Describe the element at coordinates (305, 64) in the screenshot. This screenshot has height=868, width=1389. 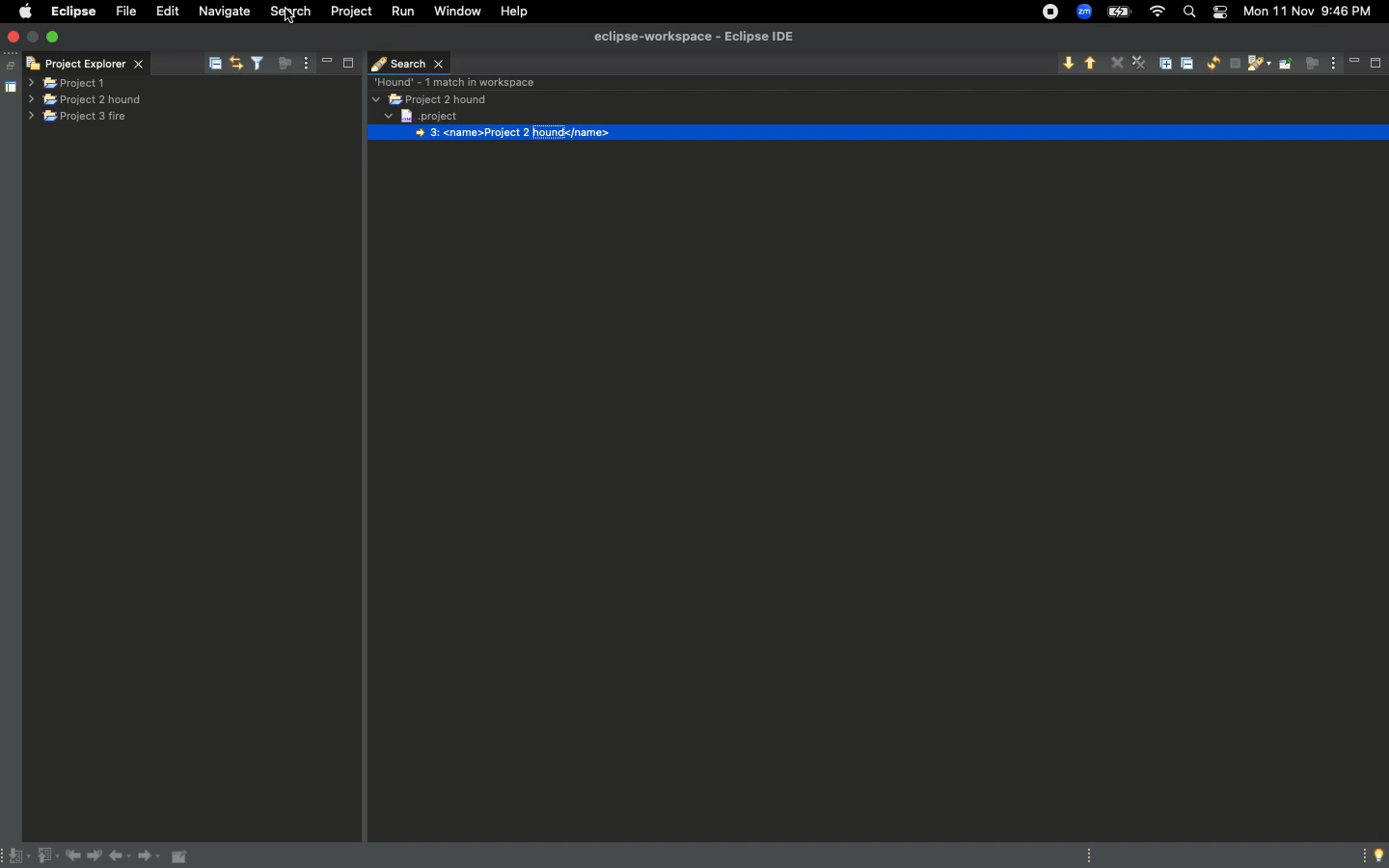
I see `view menu` at that location.